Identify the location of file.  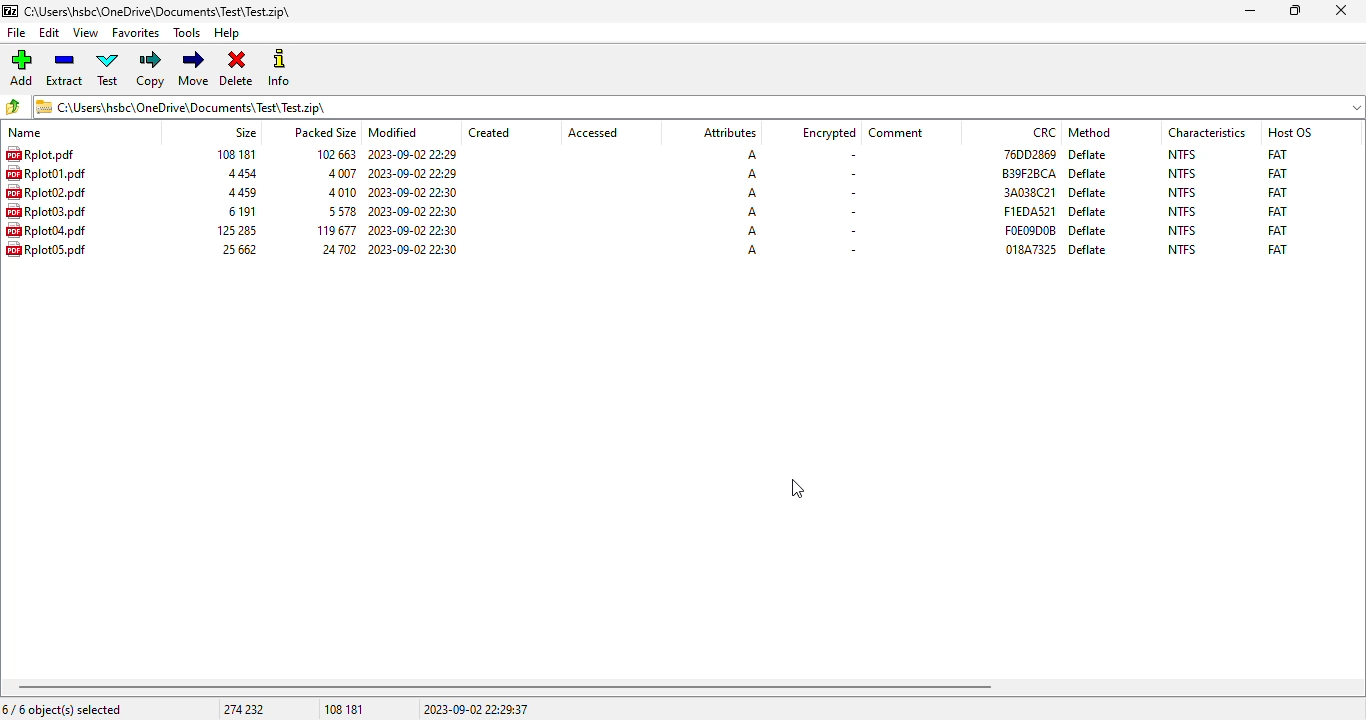
(46, 248).